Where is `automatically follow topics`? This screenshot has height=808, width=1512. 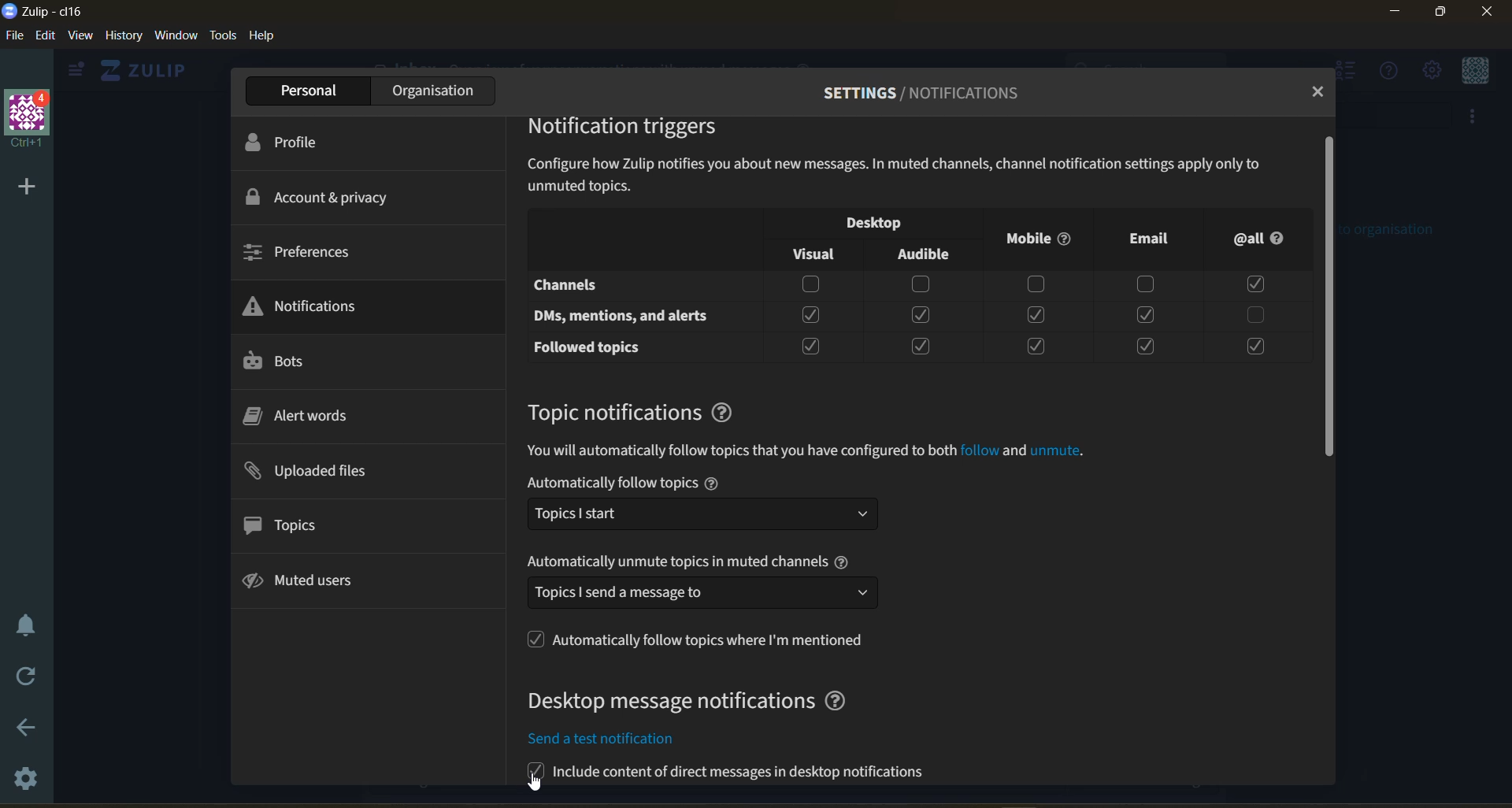
automatically follow topics is located at coordinates (702, 482).